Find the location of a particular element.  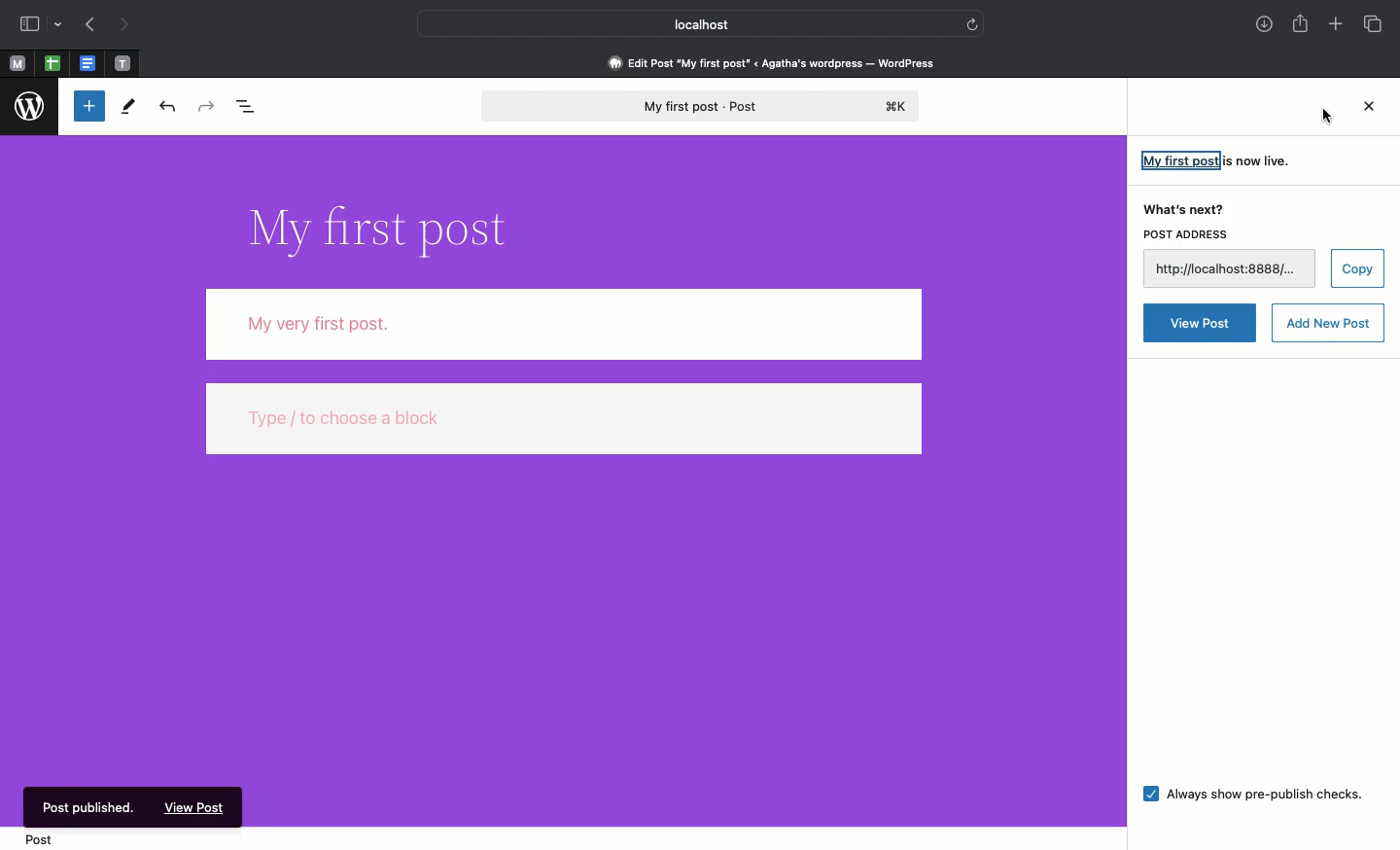

Pinned tabs is located at coordinates (18, 63).